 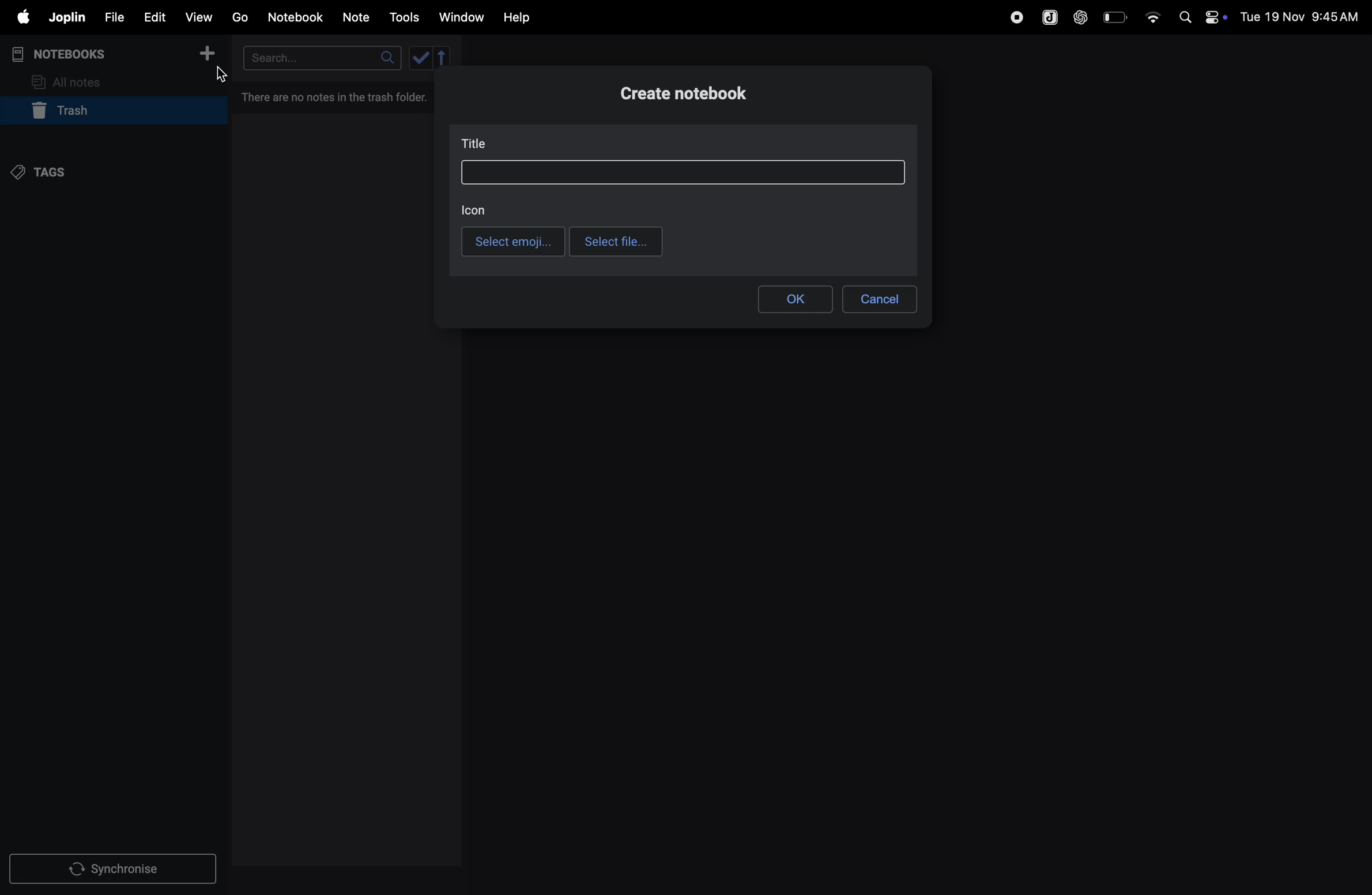 What do you see at coordinates (73, 81) in the screenshot?
I see `all notes` at bounding box center [73, 81].